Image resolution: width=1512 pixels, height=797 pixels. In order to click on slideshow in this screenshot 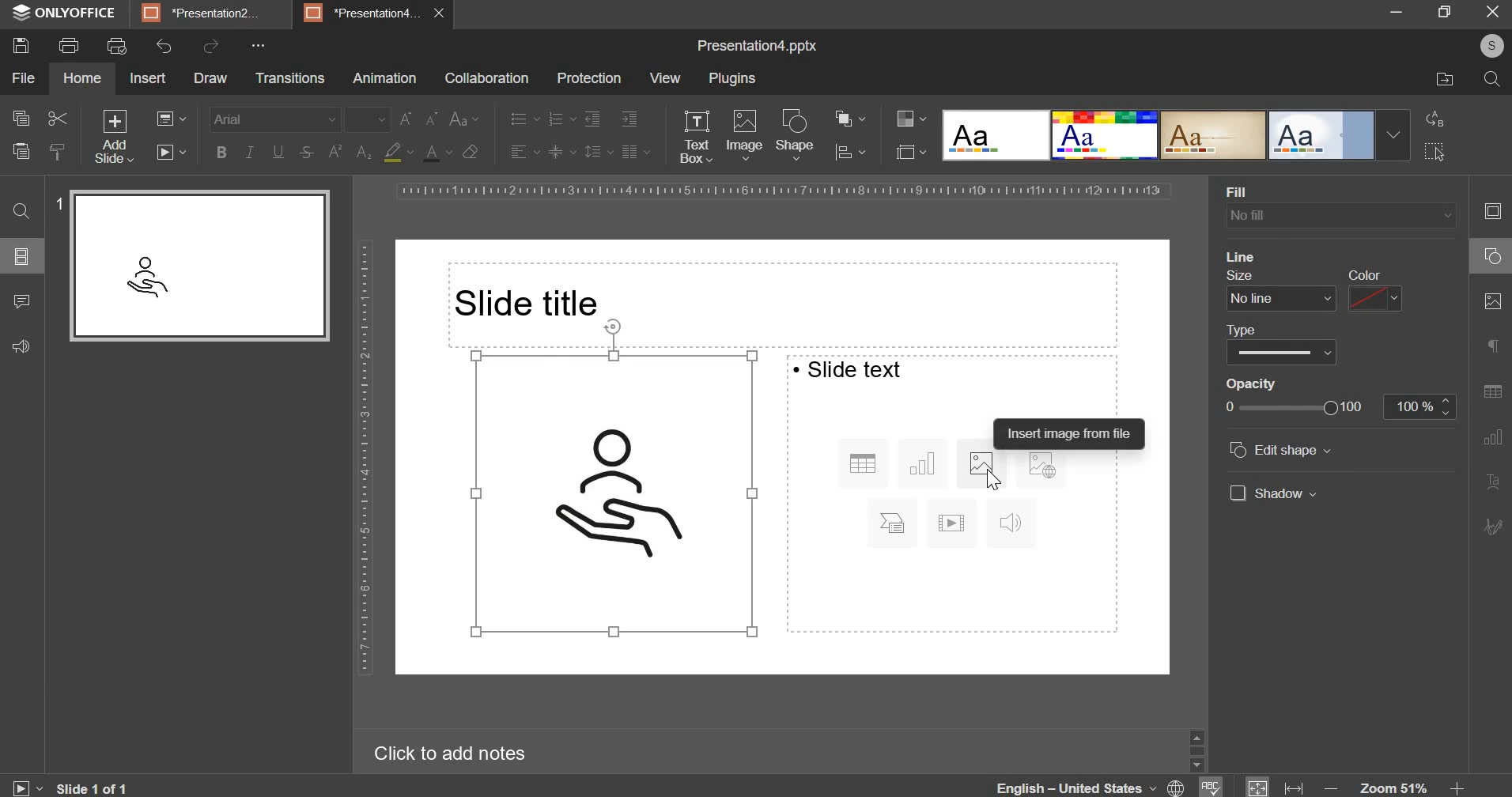, I will do `click(174, 157)`.